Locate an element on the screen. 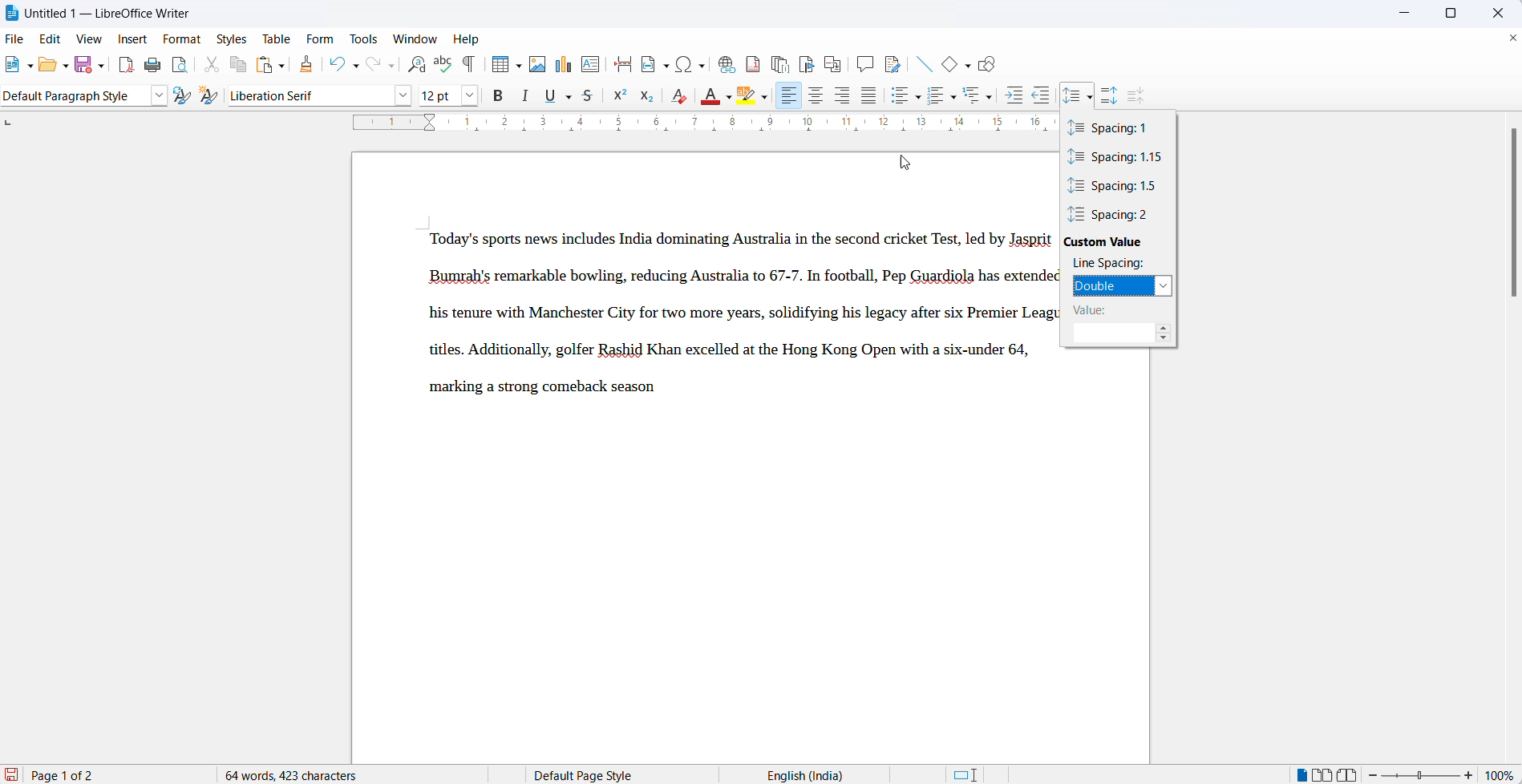 This screenshot has width=1522, height=784. toggle unordered list is located at coordinates (900, 98).